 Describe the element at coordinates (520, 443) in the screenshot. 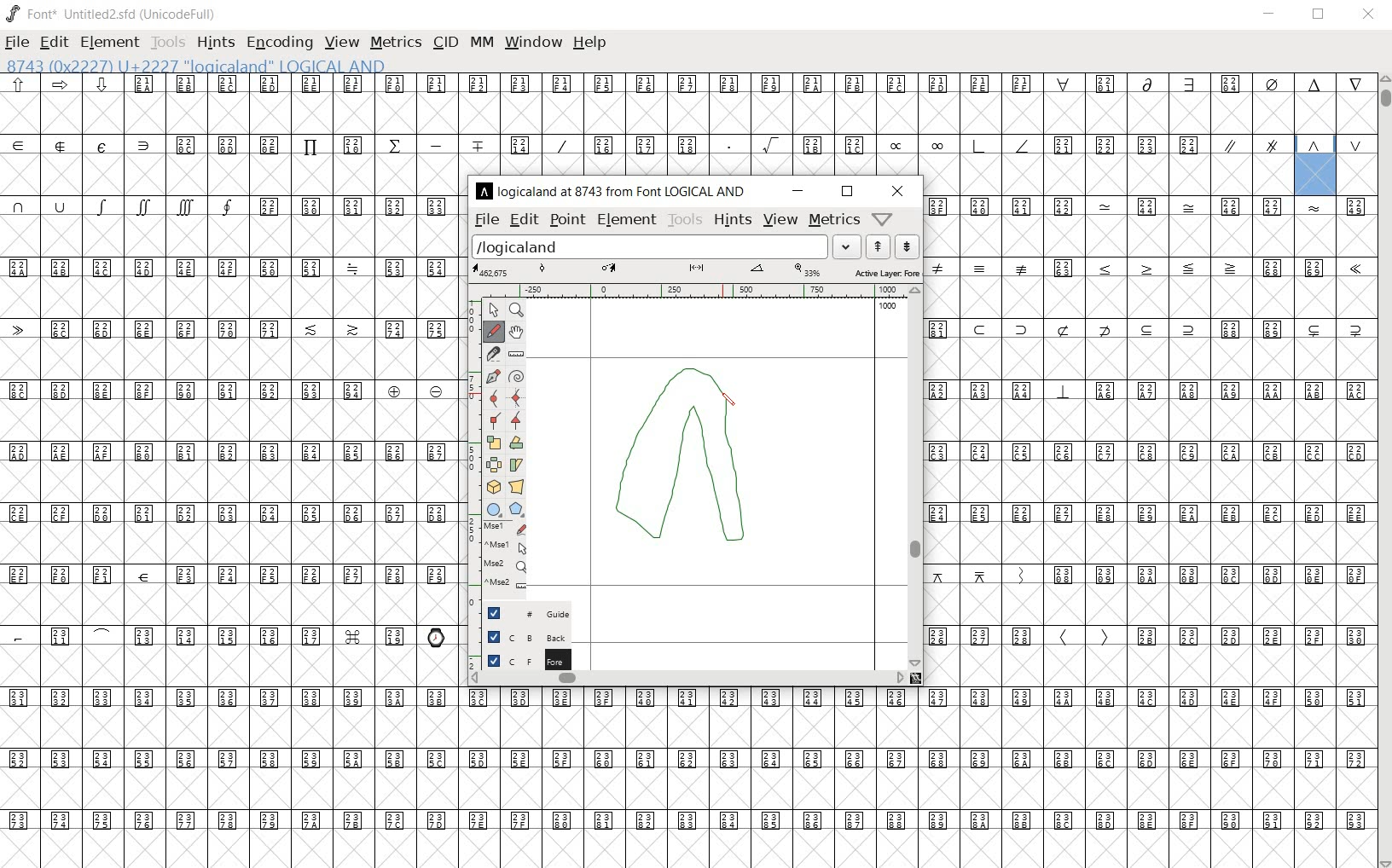

I see `flip the selection` at that location.